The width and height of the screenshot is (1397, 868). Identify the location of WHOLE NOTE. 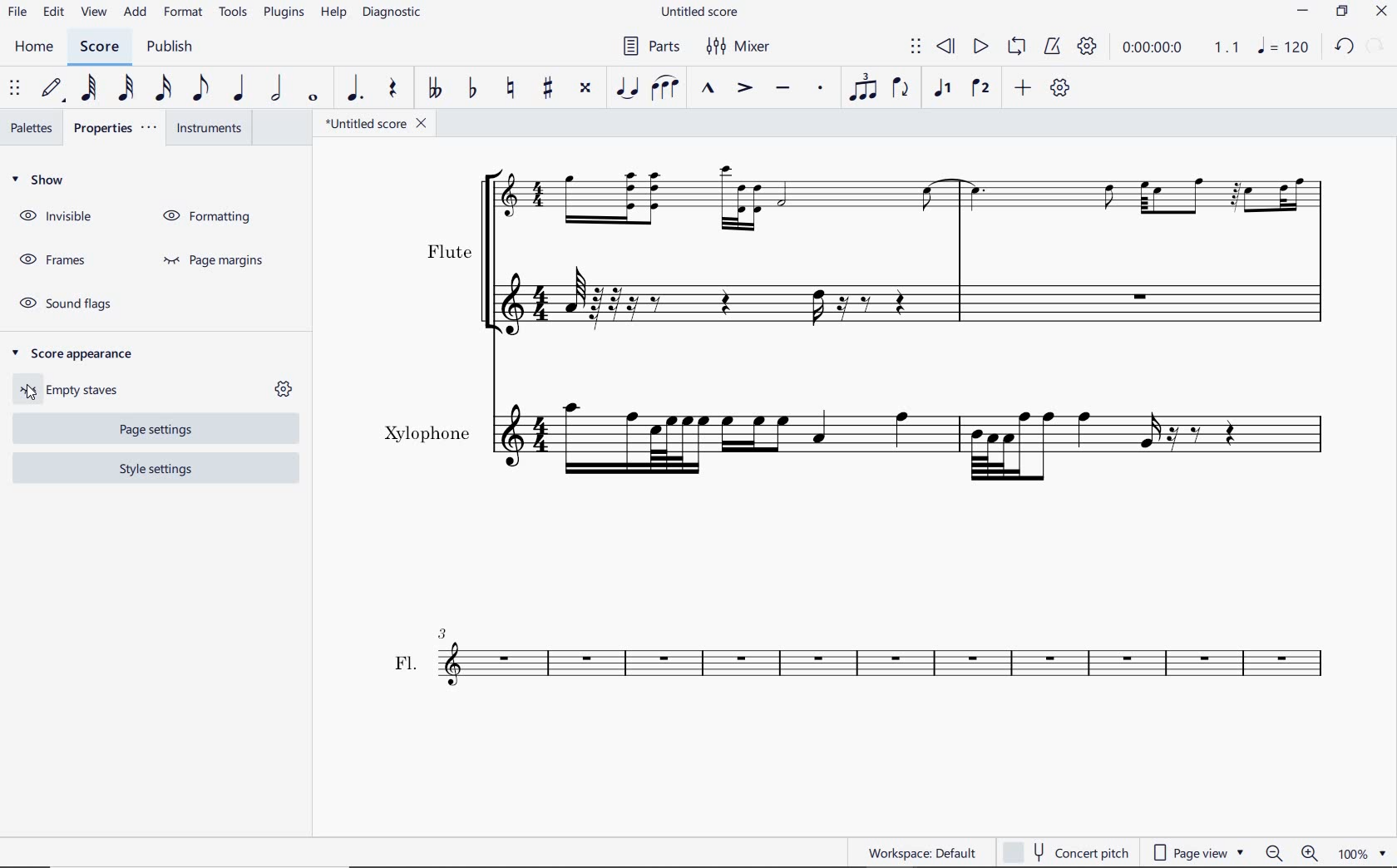
(313, 96).